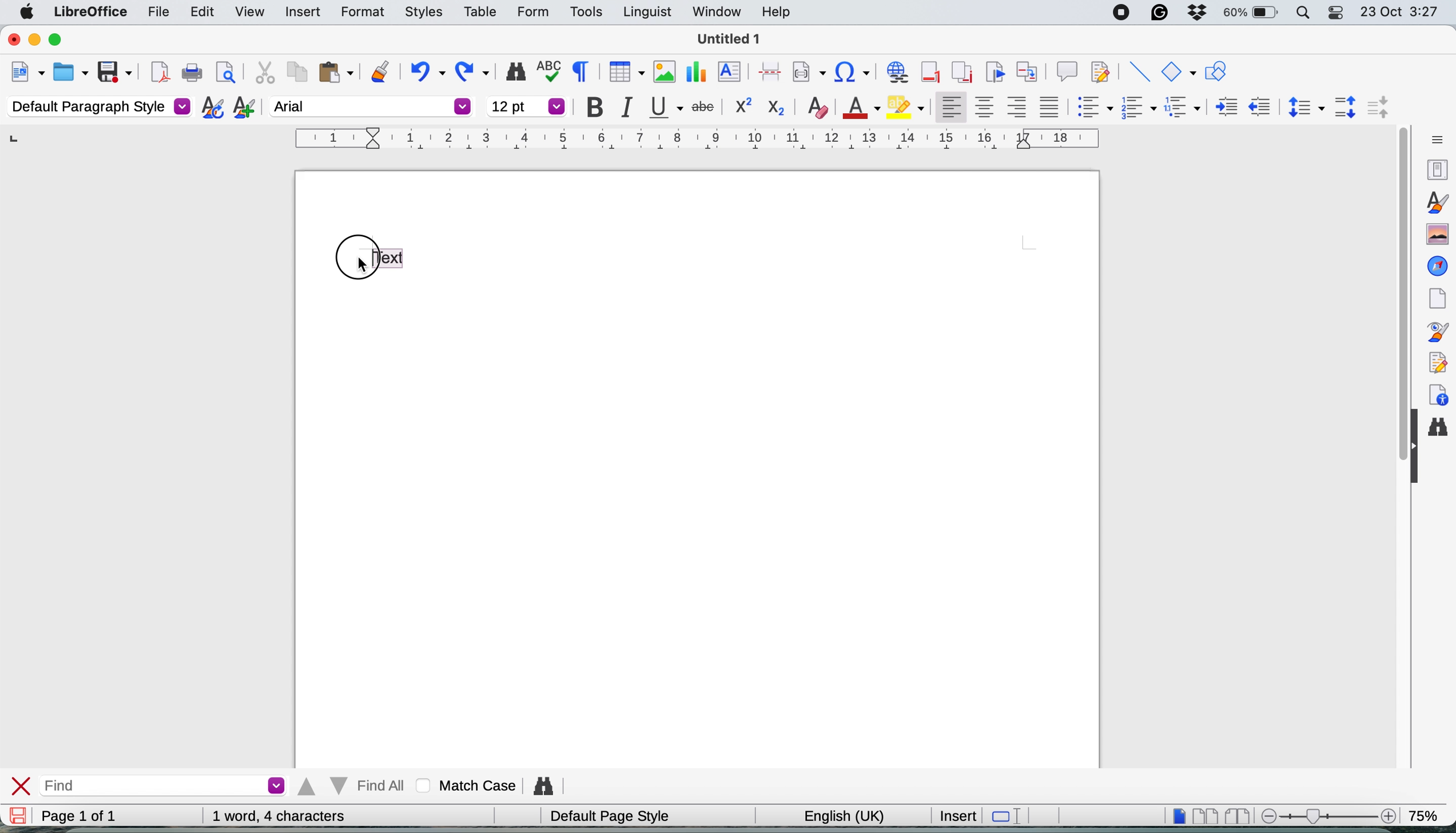 This screenshot has height=833, width=1456. I want to click on linguist, so click(644, 14).